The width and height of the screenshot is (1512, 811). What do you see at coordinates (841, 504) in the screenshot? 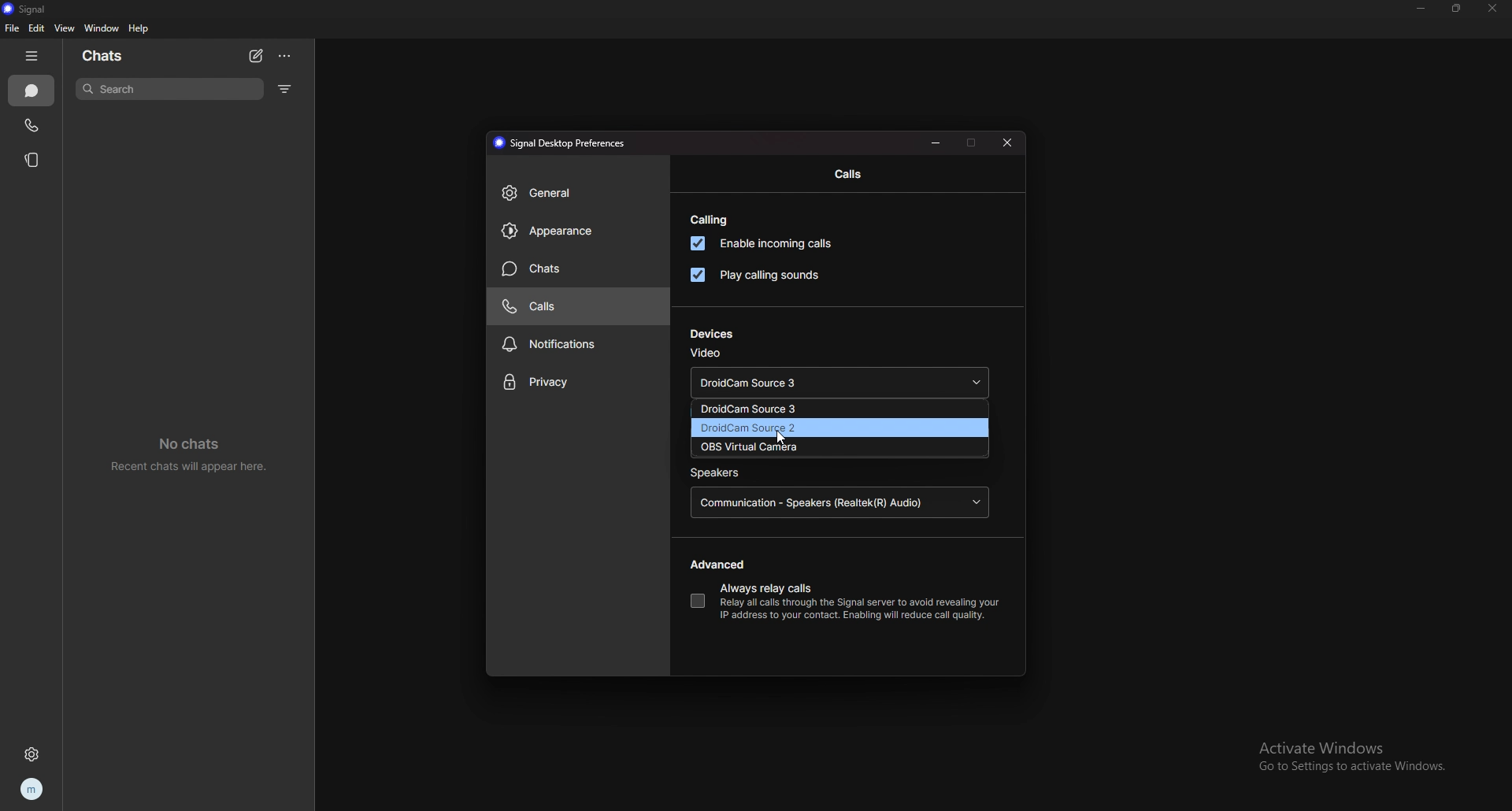
I see `speaker source` at bounding box center [841, 504].